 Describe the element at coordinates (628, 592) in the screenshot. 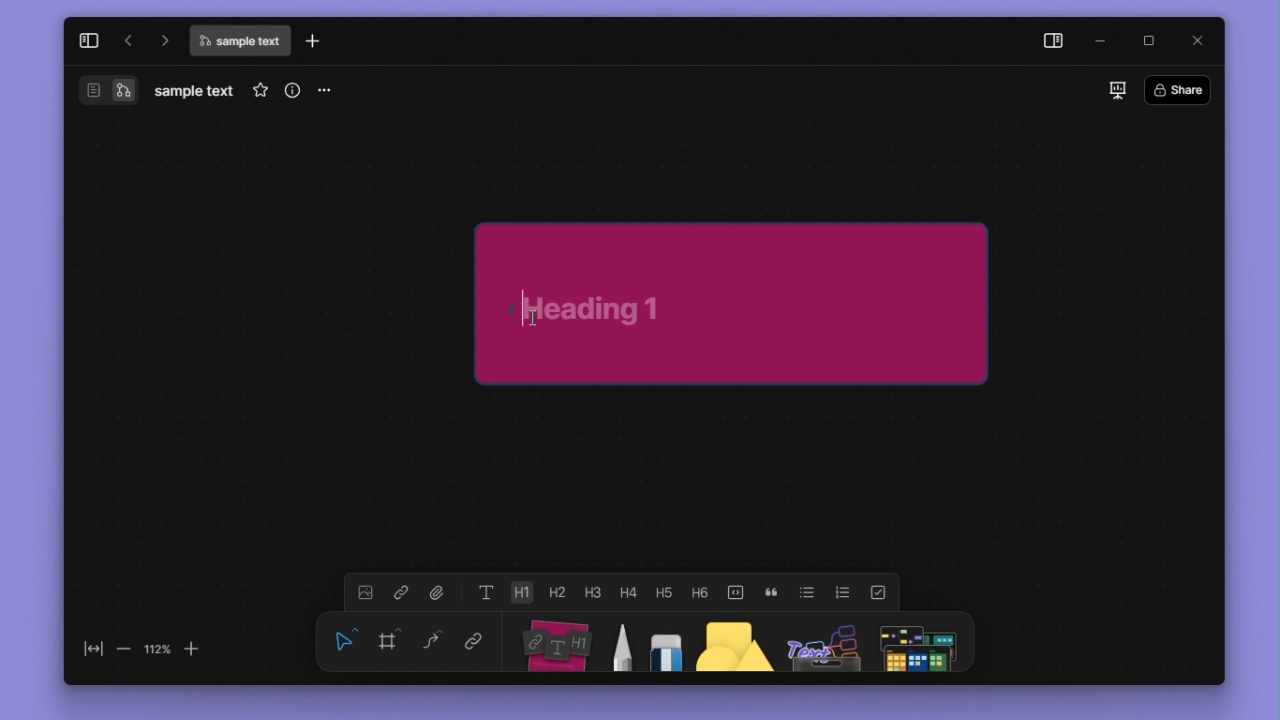

I see `Heading 4` at that location.